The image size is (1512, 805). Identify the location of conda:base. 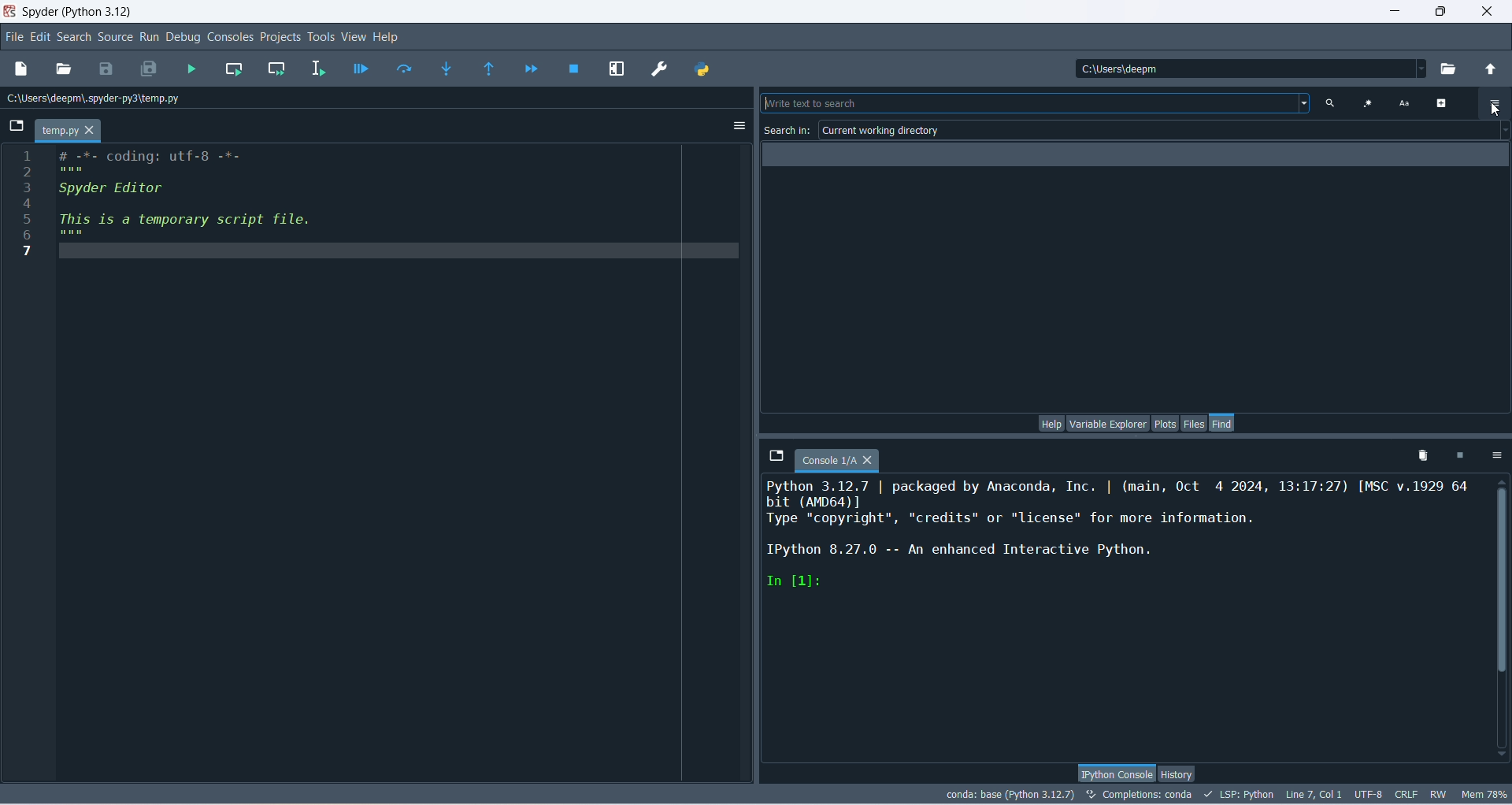
(1010, 793).